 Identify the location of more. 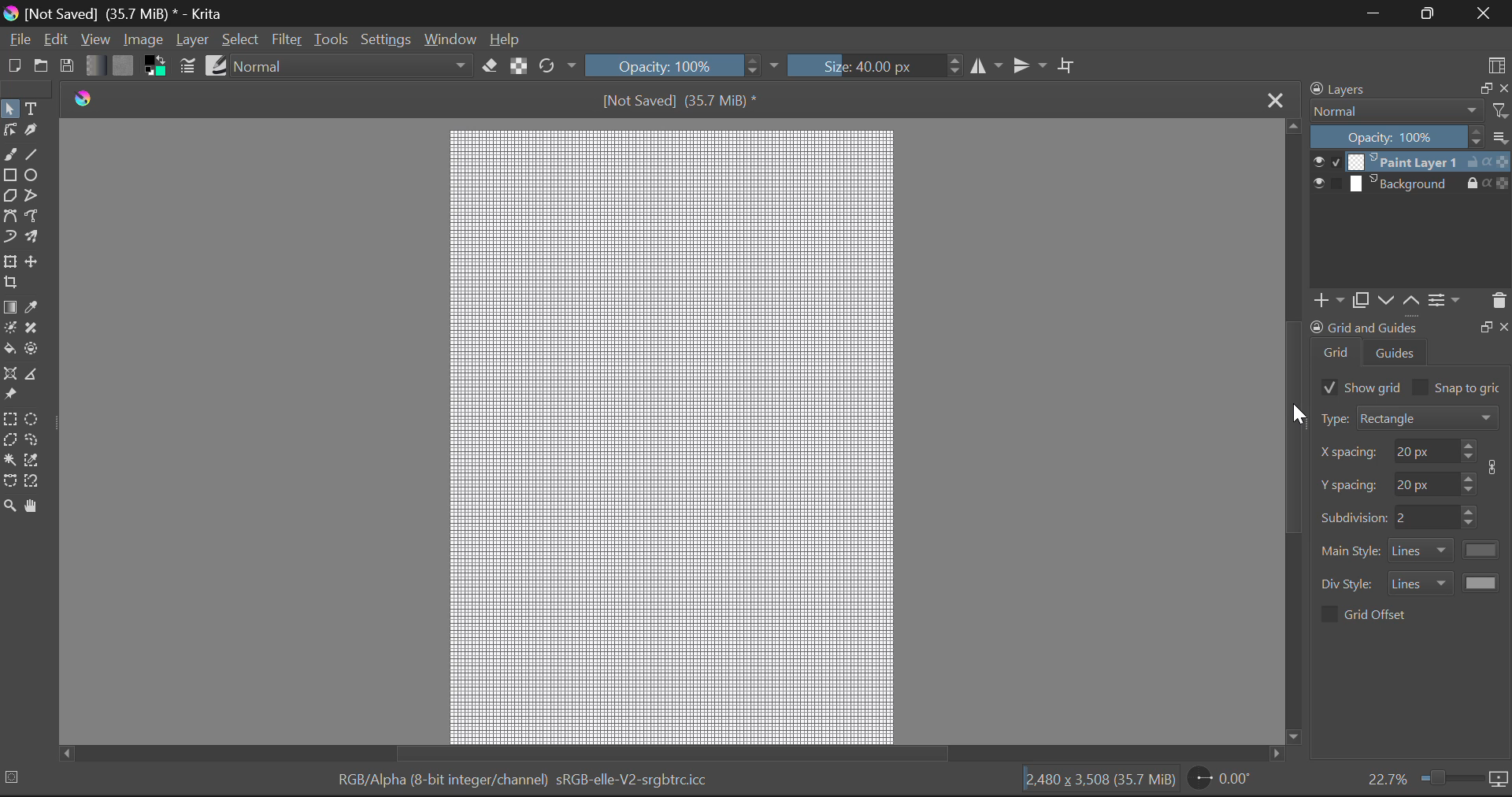
(1500, 136).